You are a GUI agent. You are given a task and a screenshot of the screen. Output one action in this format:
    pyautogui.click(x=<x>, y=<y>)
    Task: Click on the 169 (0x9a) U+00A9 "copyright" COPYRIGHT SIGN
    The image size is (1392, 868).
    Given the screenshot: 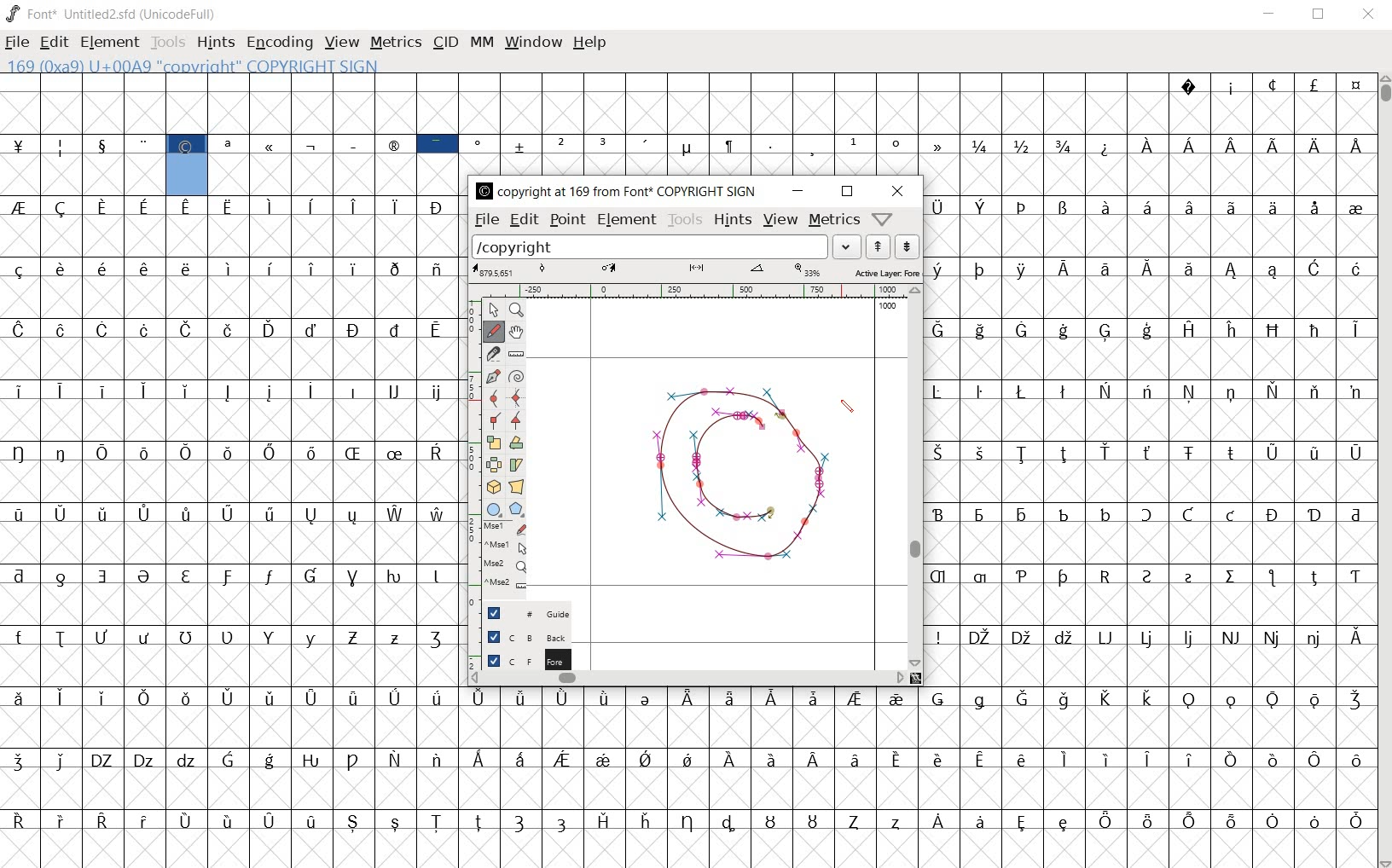 What is the action you would take?
    pyautogui.click(x=188, y=163)
    